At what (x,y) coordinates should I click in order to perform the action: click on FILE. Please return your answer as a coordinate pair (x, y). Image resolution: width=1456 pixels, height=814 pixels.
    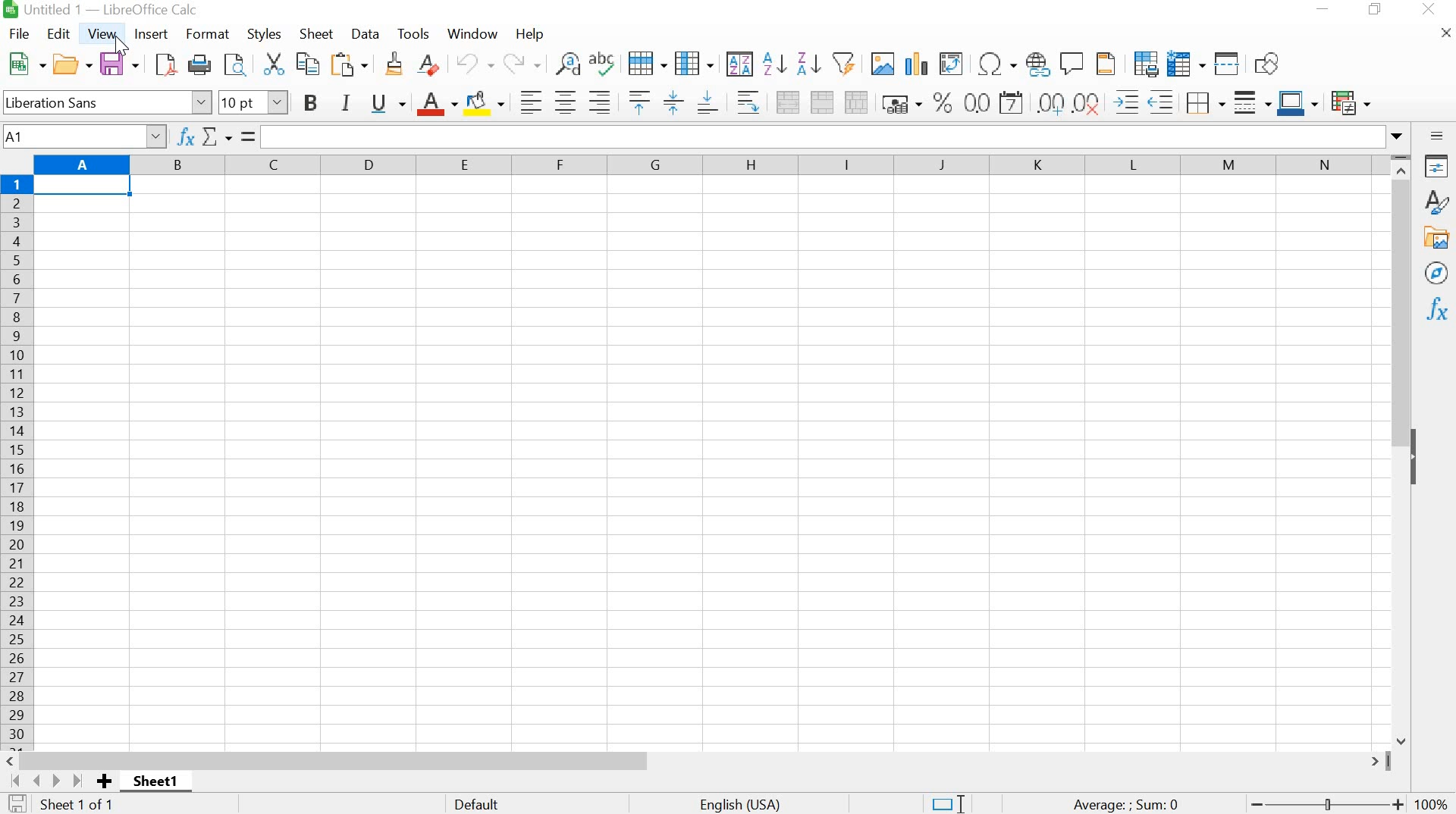
    Looking at the image, I should click on (18, 33).